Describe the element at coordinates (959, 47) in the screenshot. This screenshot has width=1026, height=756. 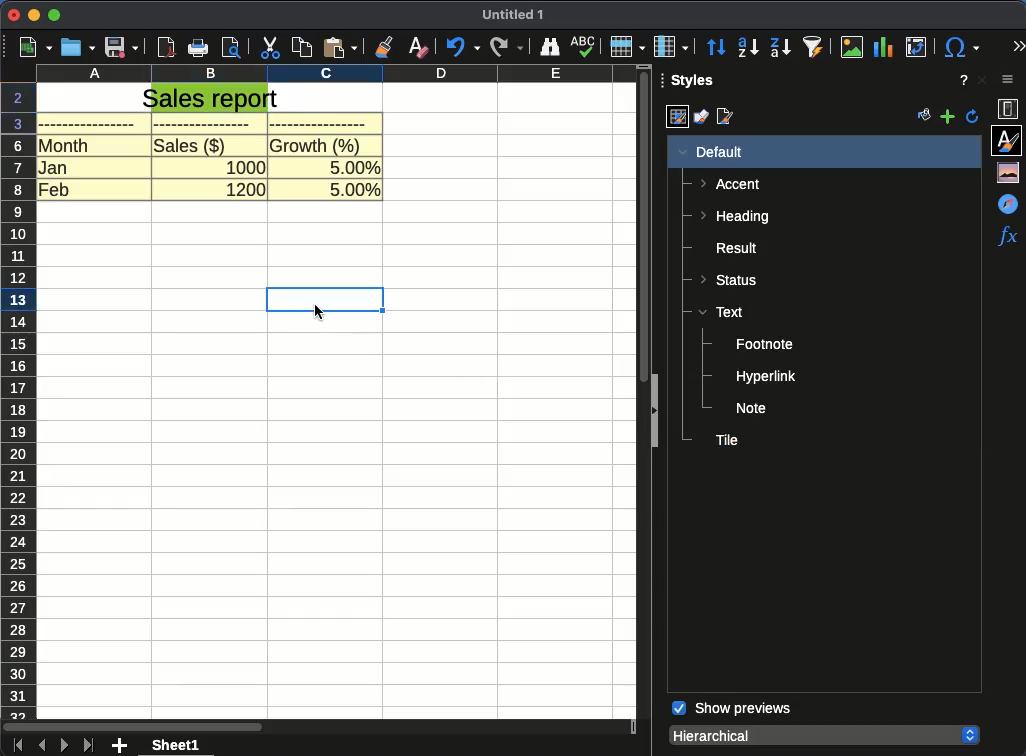
I see `special character` at that location.